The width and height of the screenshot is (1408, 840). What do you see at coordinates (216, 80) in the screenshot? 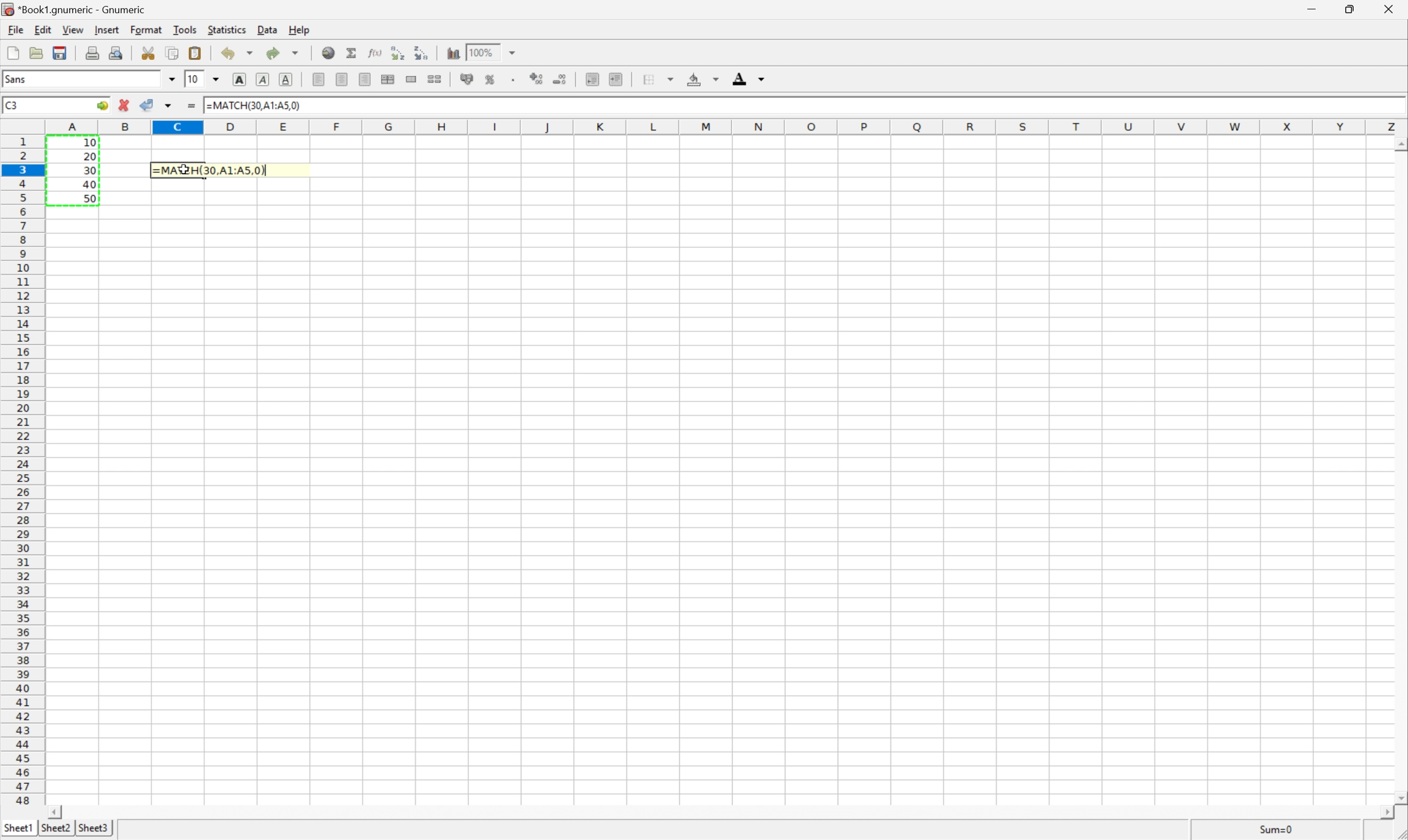
I see `Drop down` at bounding box center [216, 80].